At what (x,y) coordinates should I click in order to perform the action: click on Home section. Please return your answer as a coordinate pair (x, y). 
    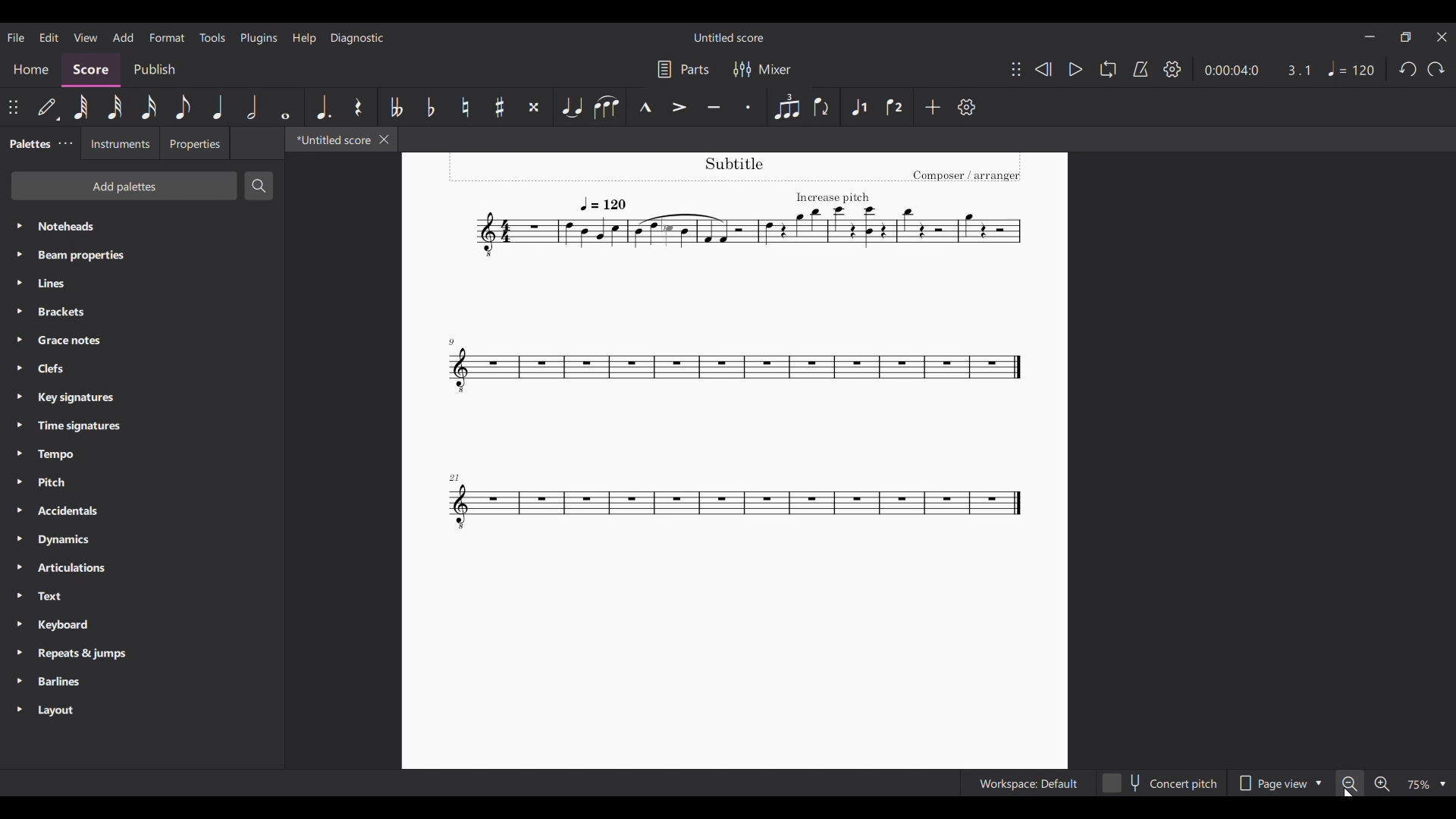
    Looking at the image, I should click on (32, 70).